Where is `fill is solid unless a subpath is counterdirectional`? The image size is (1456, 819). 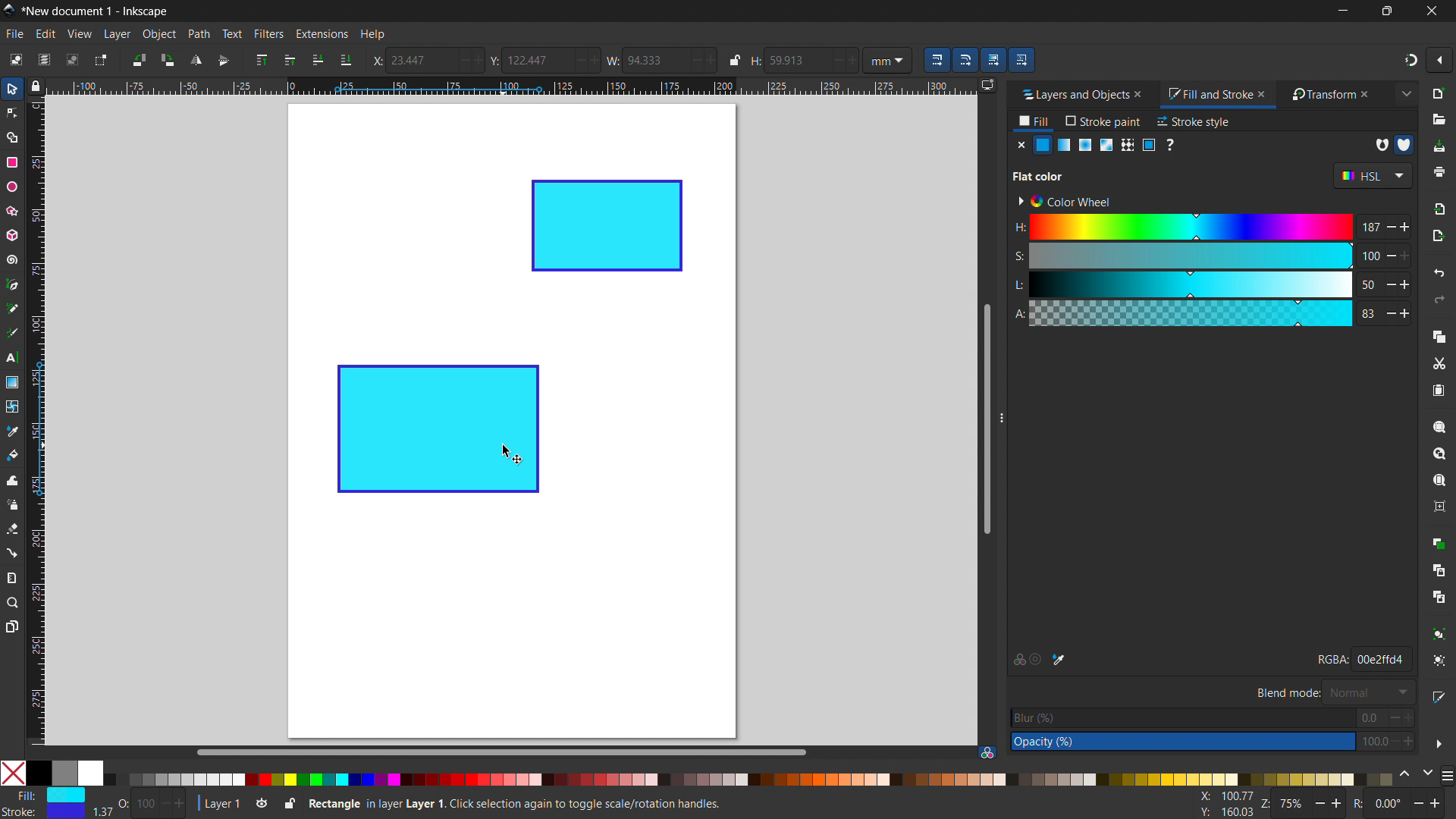 fill is solid unless a subpath is counterdirectional is located at coordinates (1404, 144).